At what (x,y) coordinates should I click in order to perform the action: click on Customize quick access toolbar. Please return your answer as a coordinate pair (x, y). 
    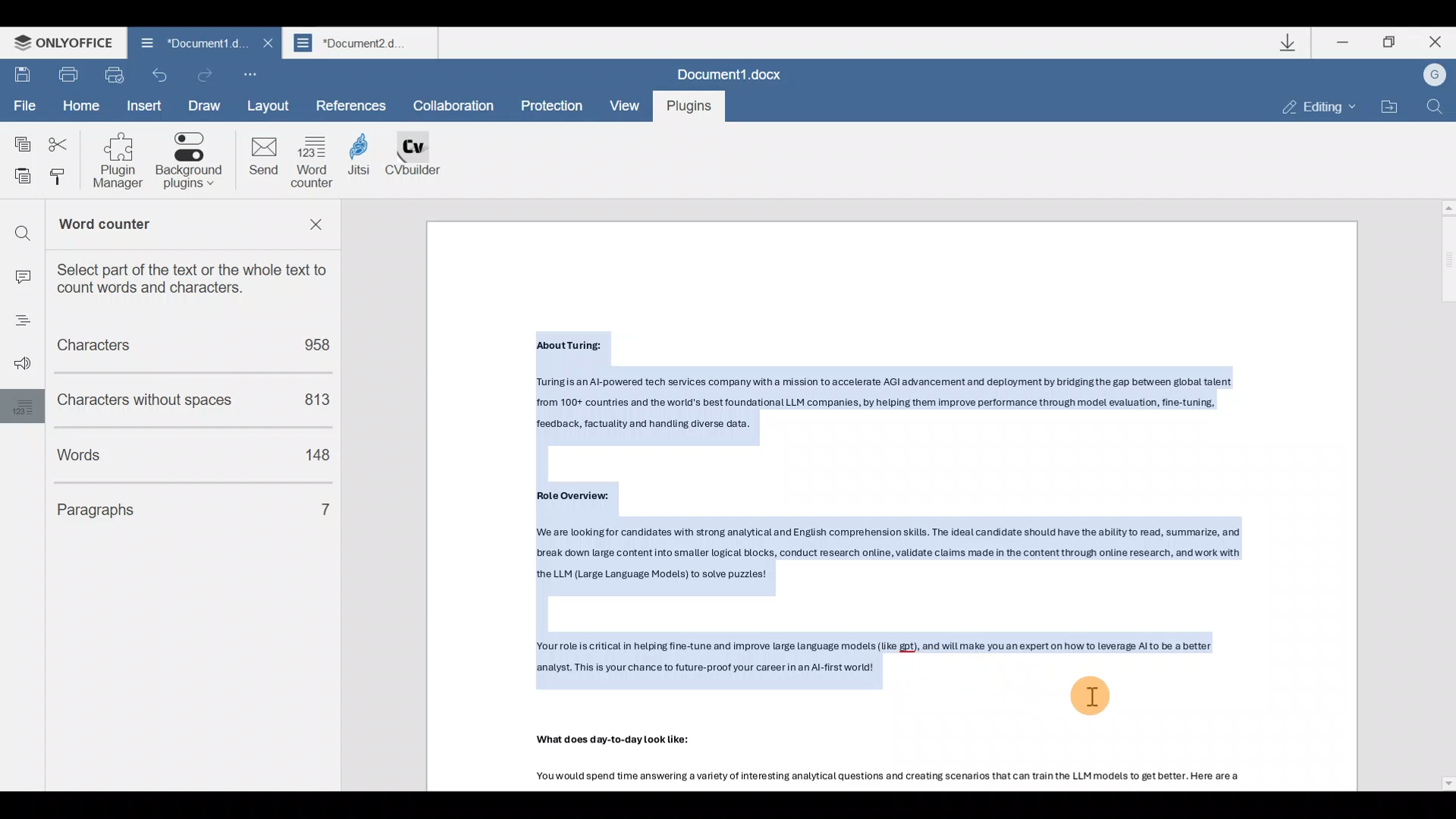
    Looking at the image, I should click on (247, 70).